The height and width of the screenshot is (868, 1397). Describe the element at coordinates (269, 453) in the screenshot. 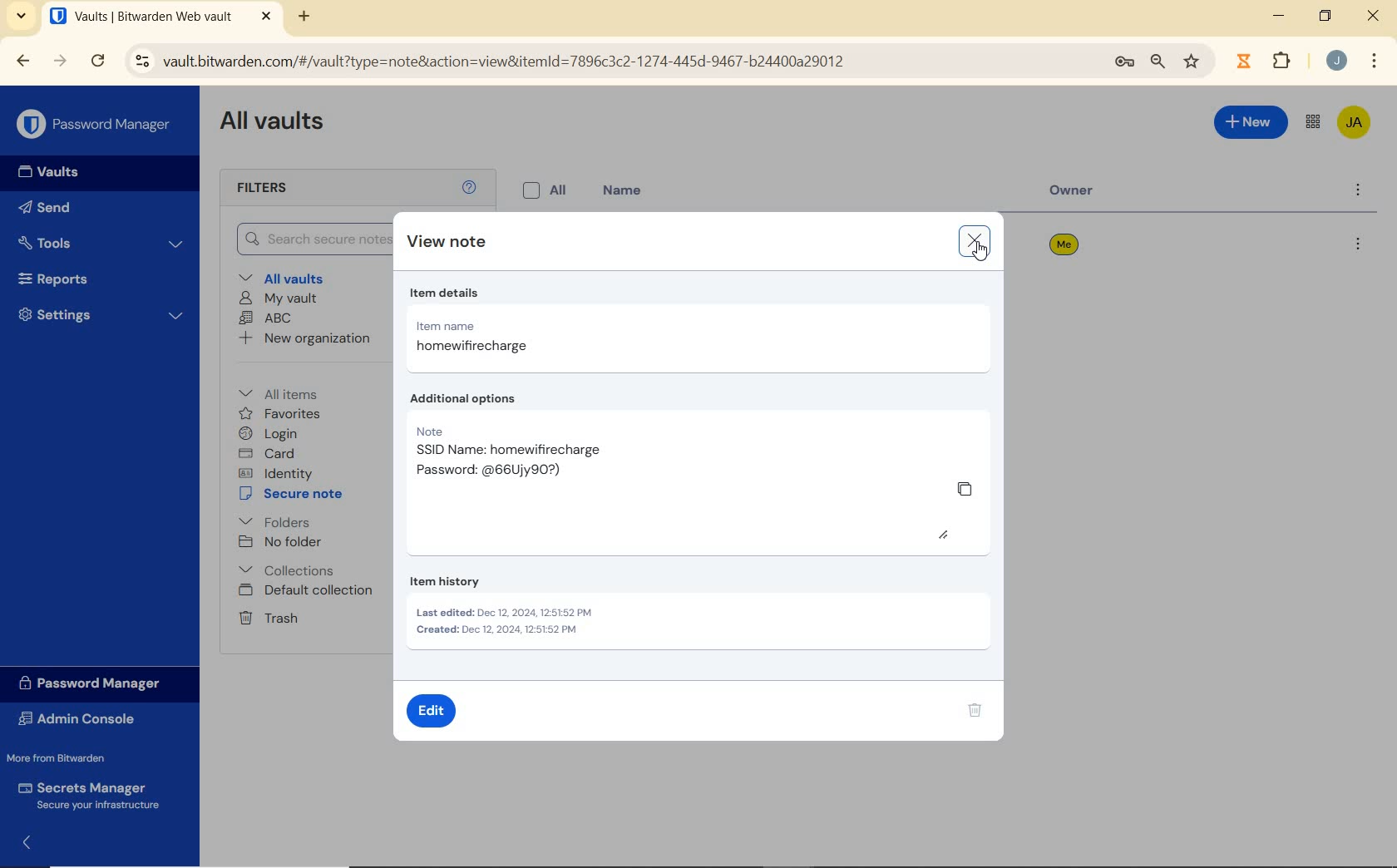

I see `card` at that location.